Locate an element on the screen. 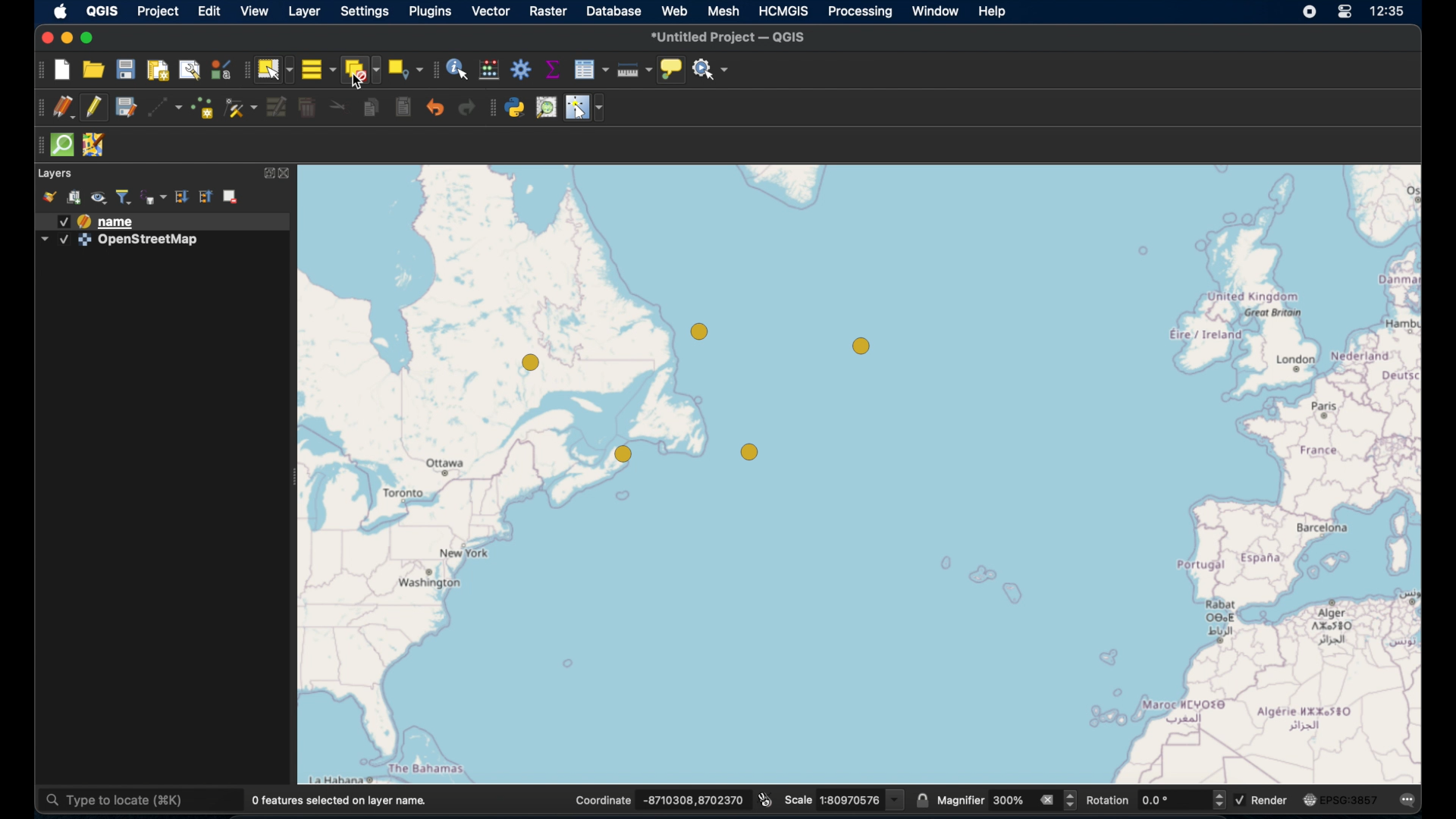  save project is located at coordinates (125, 71).